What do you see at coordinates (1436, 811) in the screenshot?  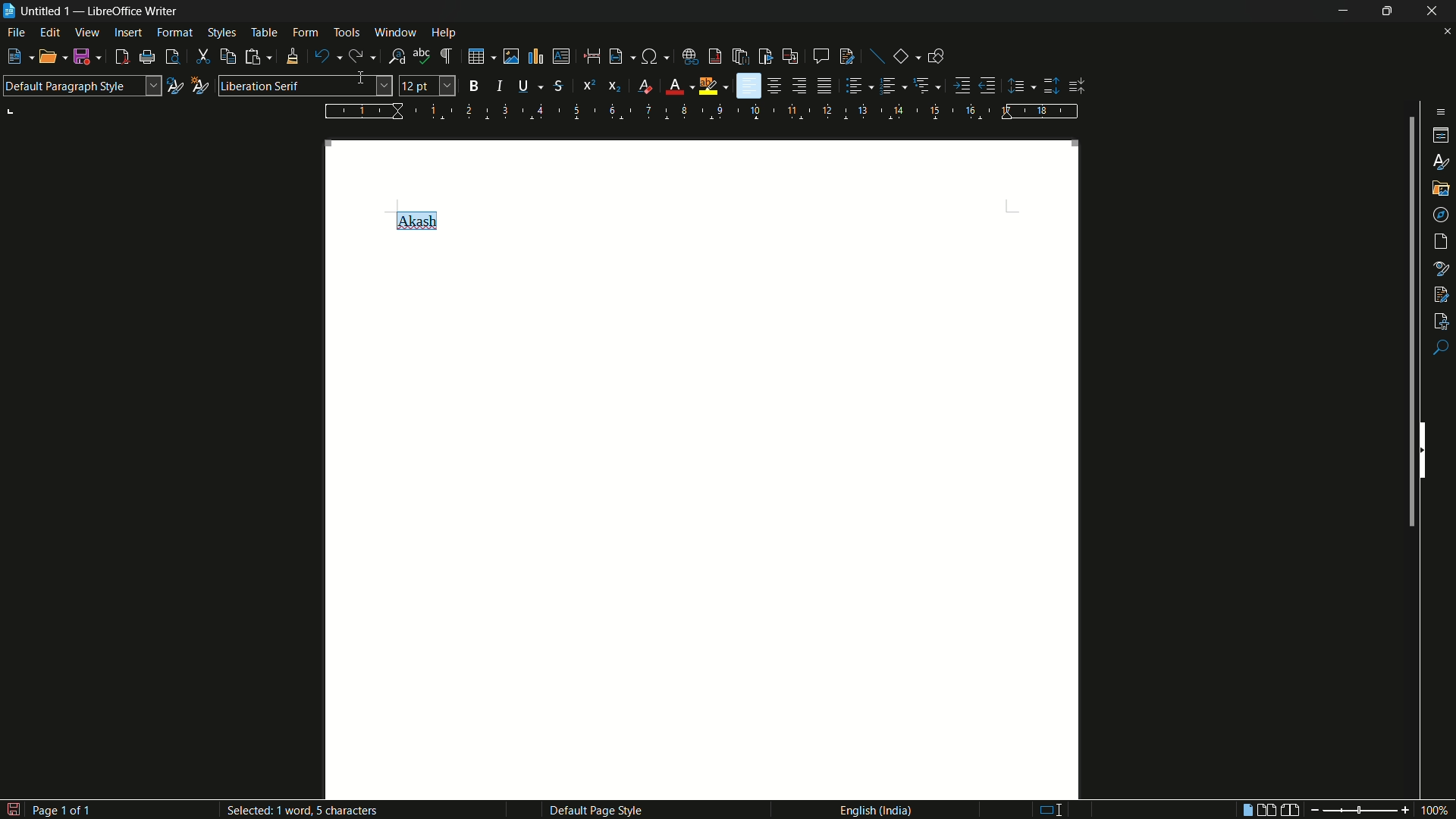 I see `scale factor` at bounding box center [1436, 811].